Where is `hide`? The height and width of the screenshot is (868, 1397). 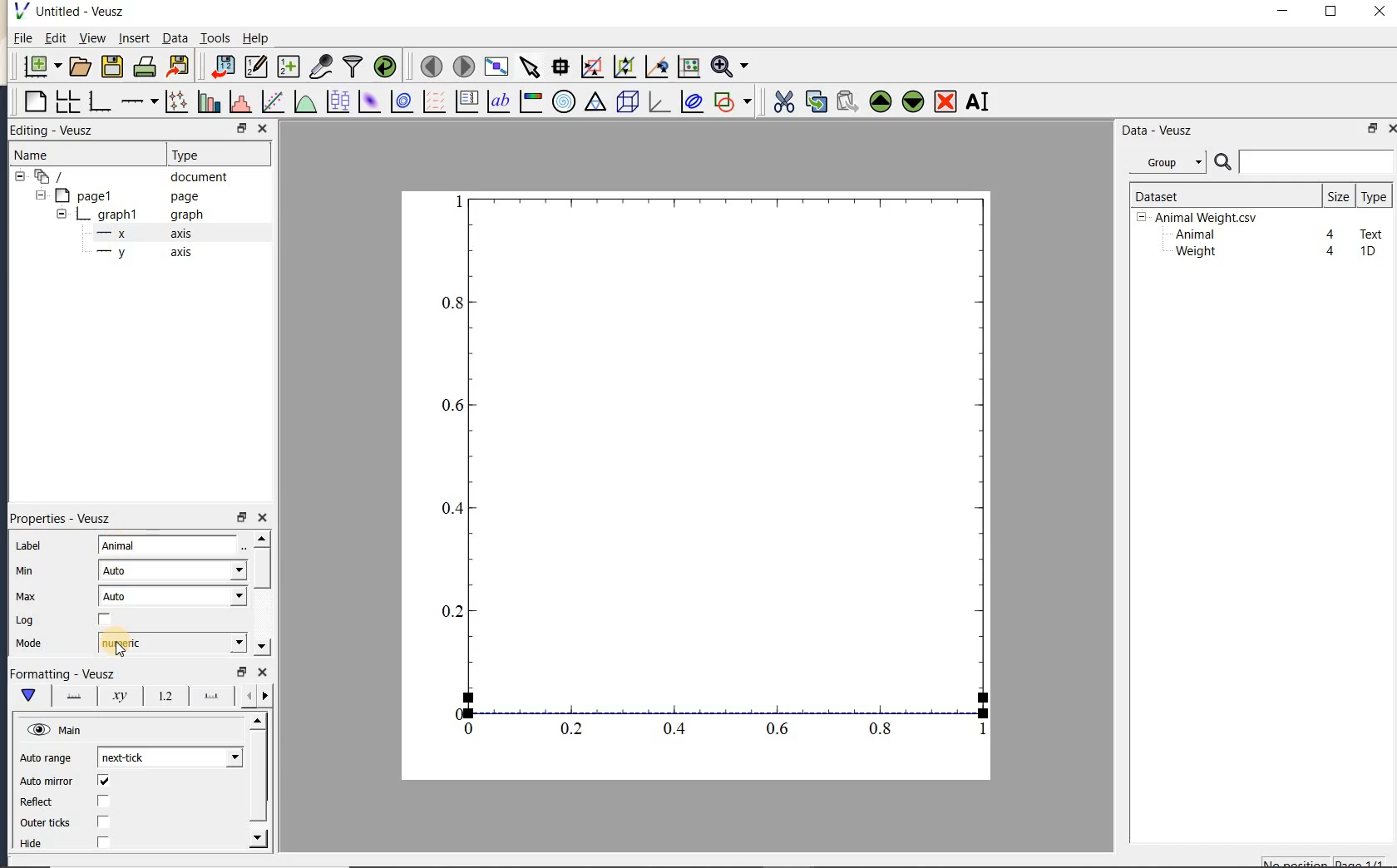
hide is located at coordinates (41, 844).